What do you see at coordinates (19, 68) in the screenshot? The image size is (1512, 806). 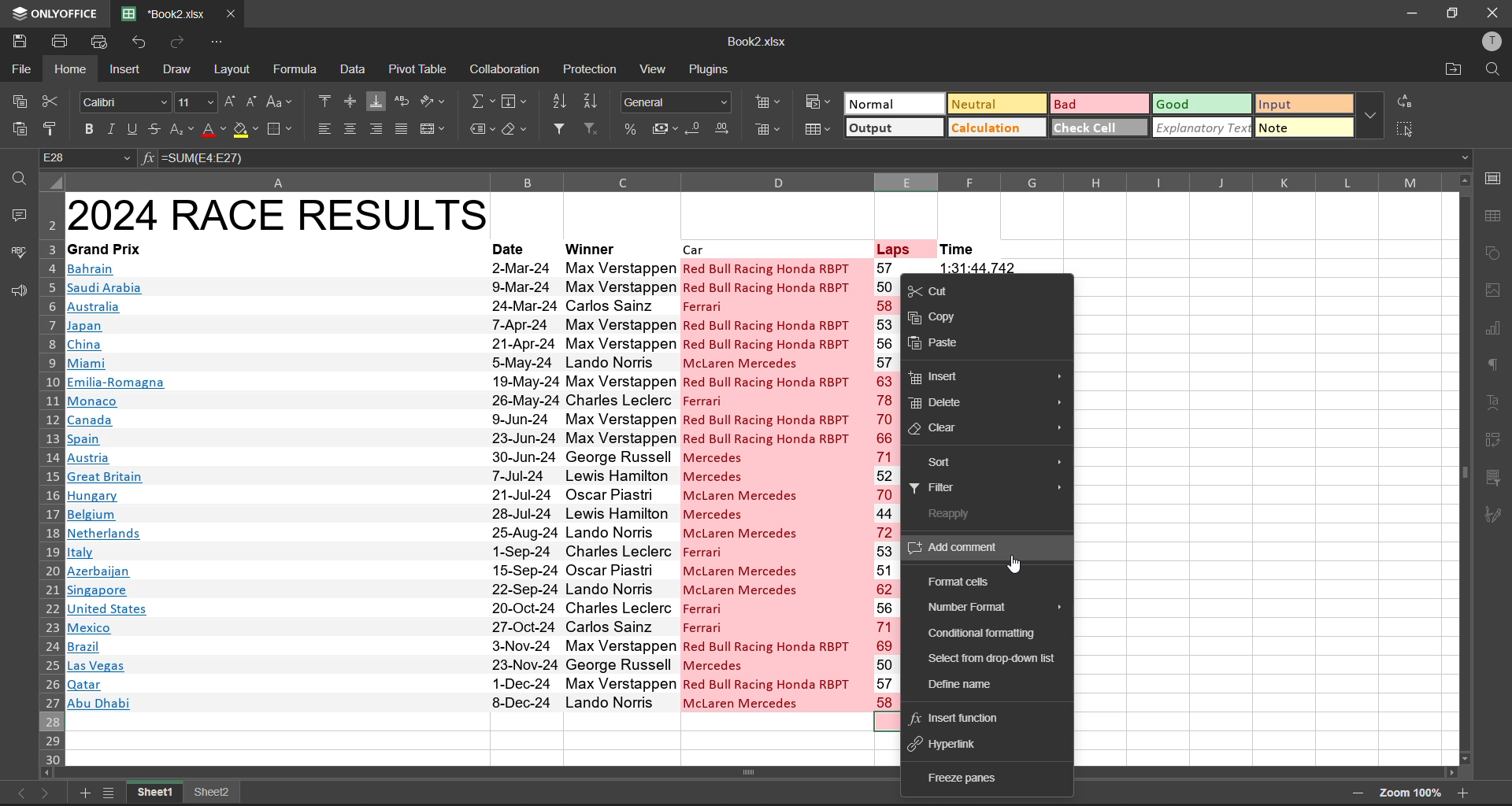 I see `file` at bounding box center [19, 68].